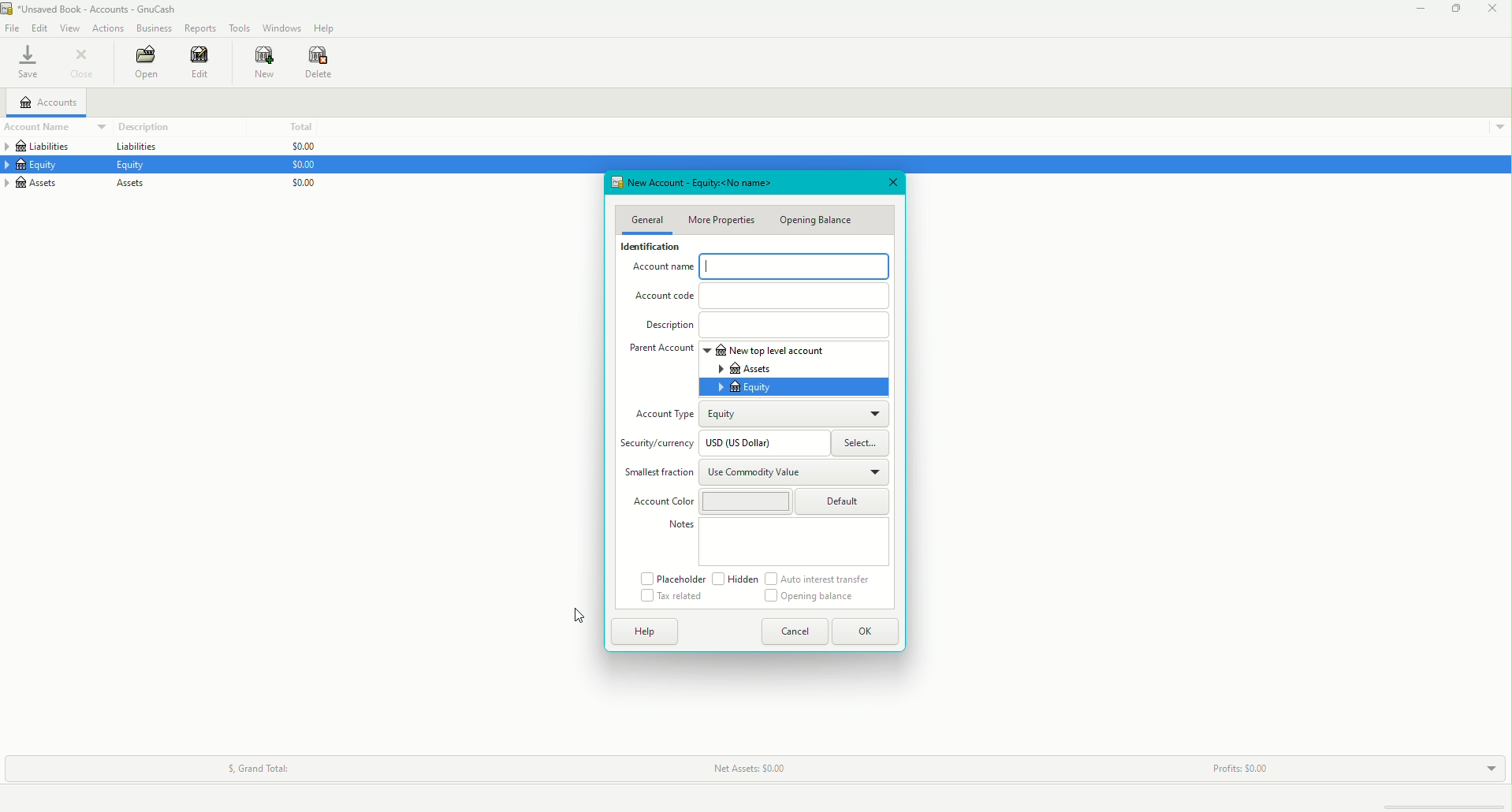 The image size is (1512, 812). What do you see at coordinates (27, 63) in the screenshot?
I see `Save` at bounding box center [27, 63].